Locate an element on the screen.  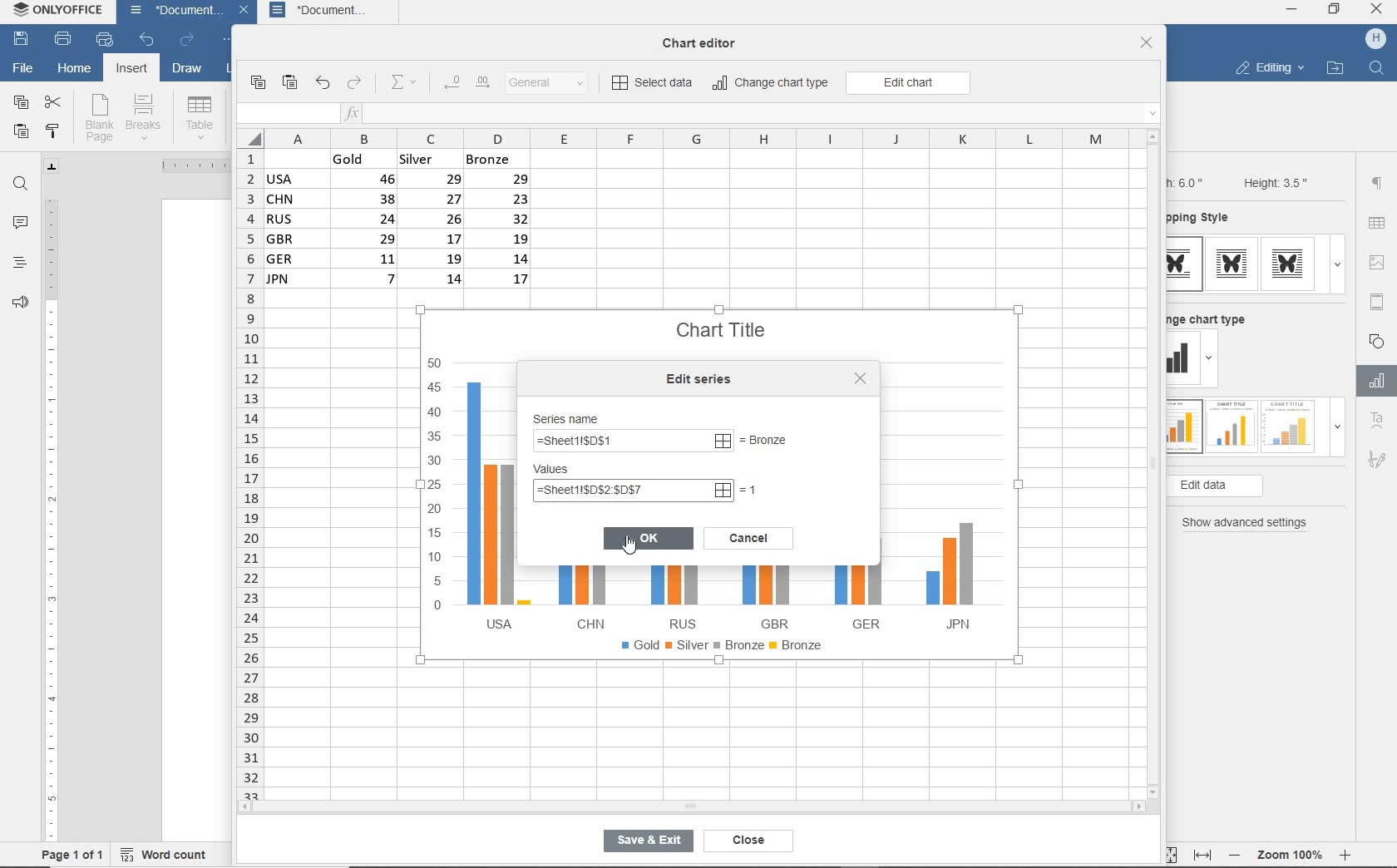
word count is located at coordinates (169, 852).